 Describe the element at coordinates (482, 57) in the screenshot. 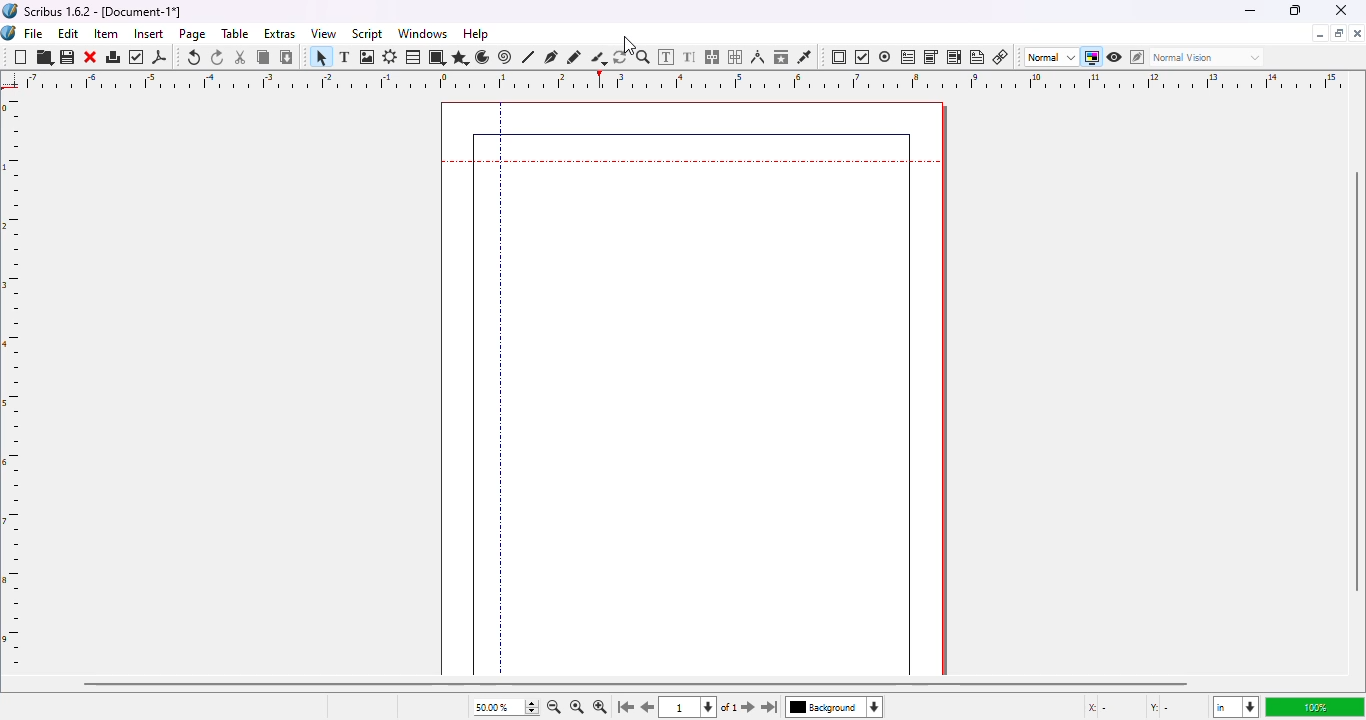

I see `arc` at that location.